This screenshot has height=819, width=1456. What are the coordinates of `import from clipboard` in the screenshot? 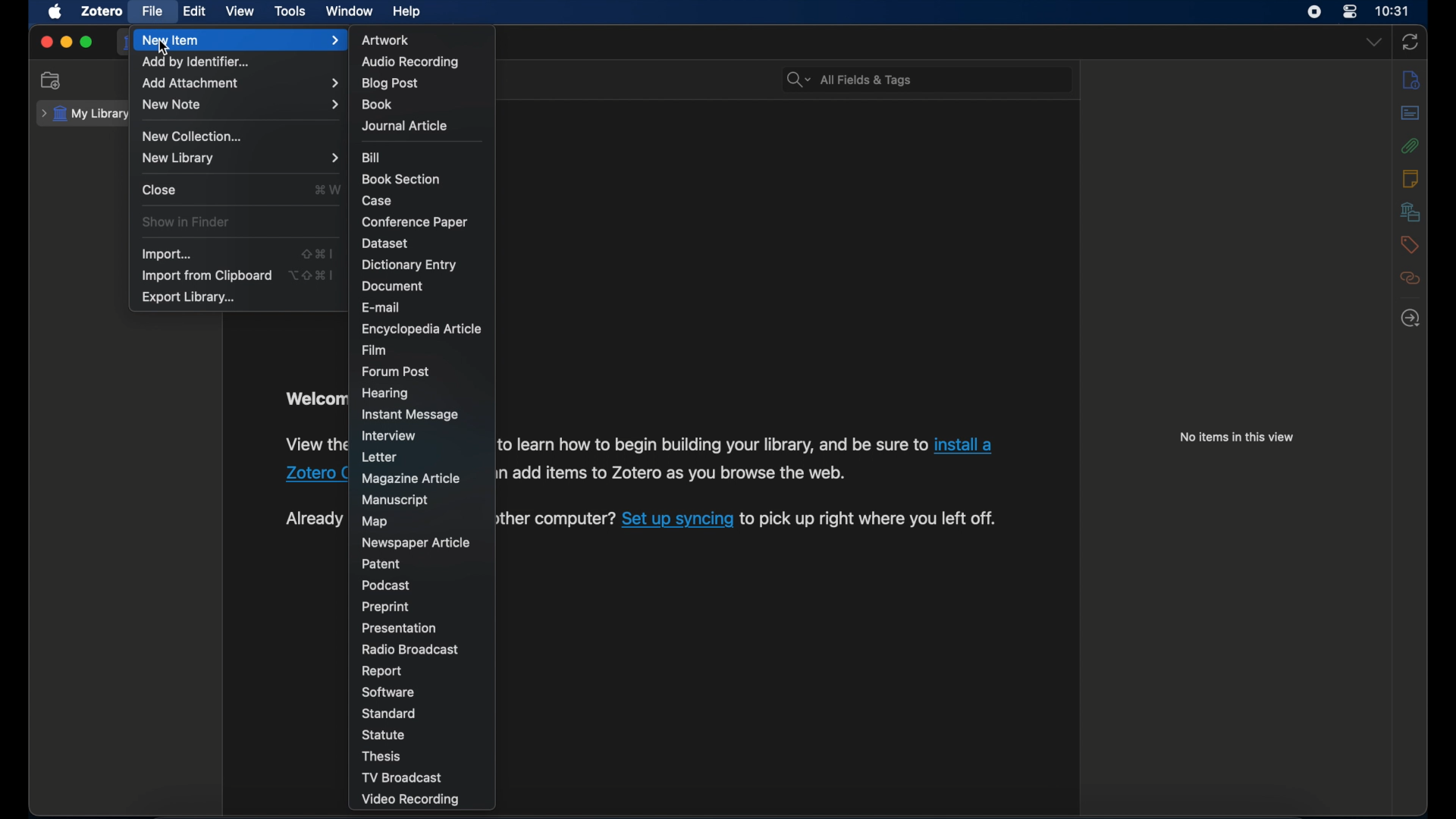 It's located at (205, 276).